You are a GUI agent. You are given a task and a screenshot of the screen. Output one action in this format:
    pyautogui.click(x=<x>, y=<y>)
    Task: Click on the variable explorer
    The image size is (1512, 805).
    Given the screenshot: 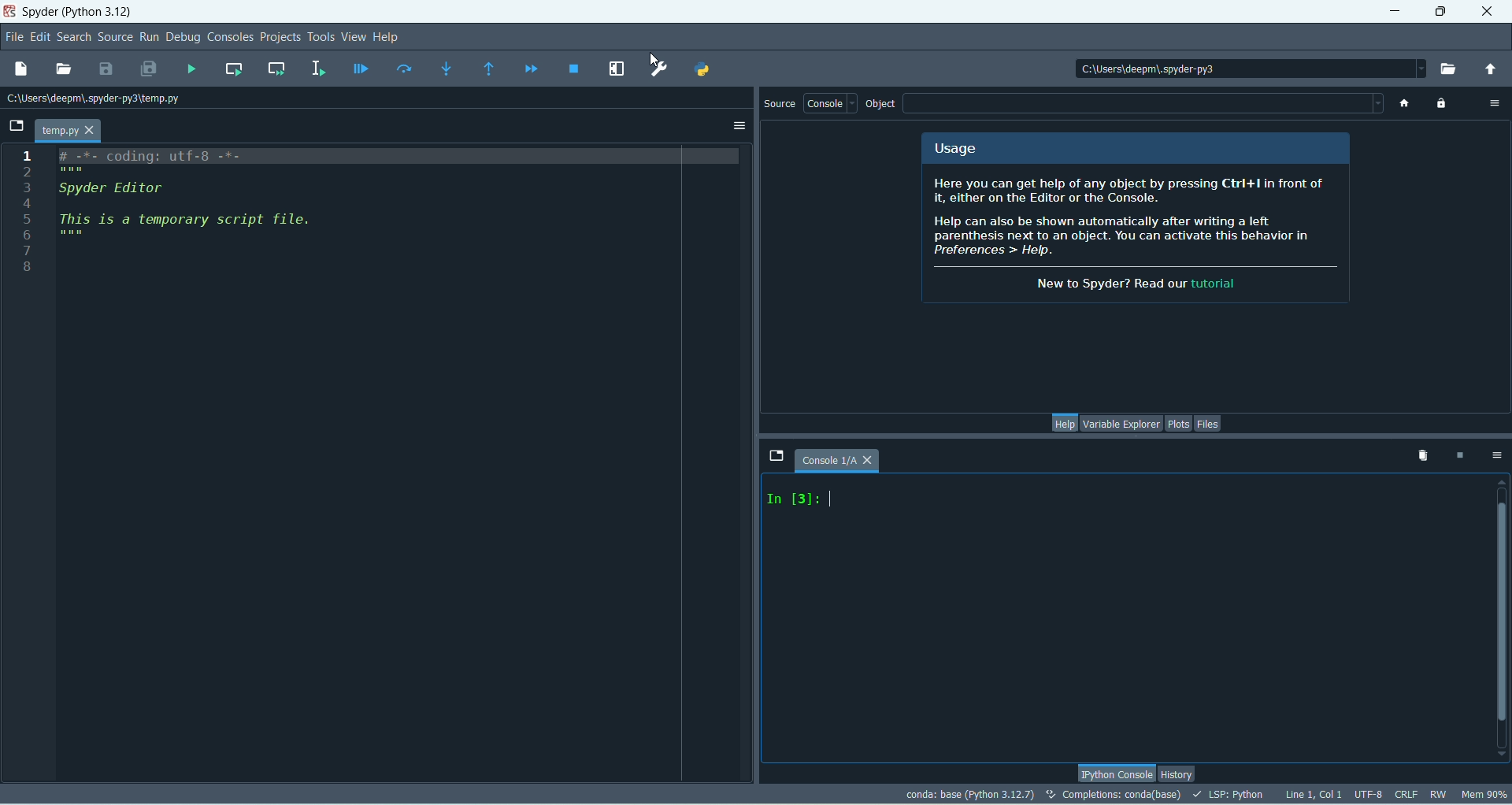 What is the action you would take?
    pyautogui.click(x=1120, y=424)
    